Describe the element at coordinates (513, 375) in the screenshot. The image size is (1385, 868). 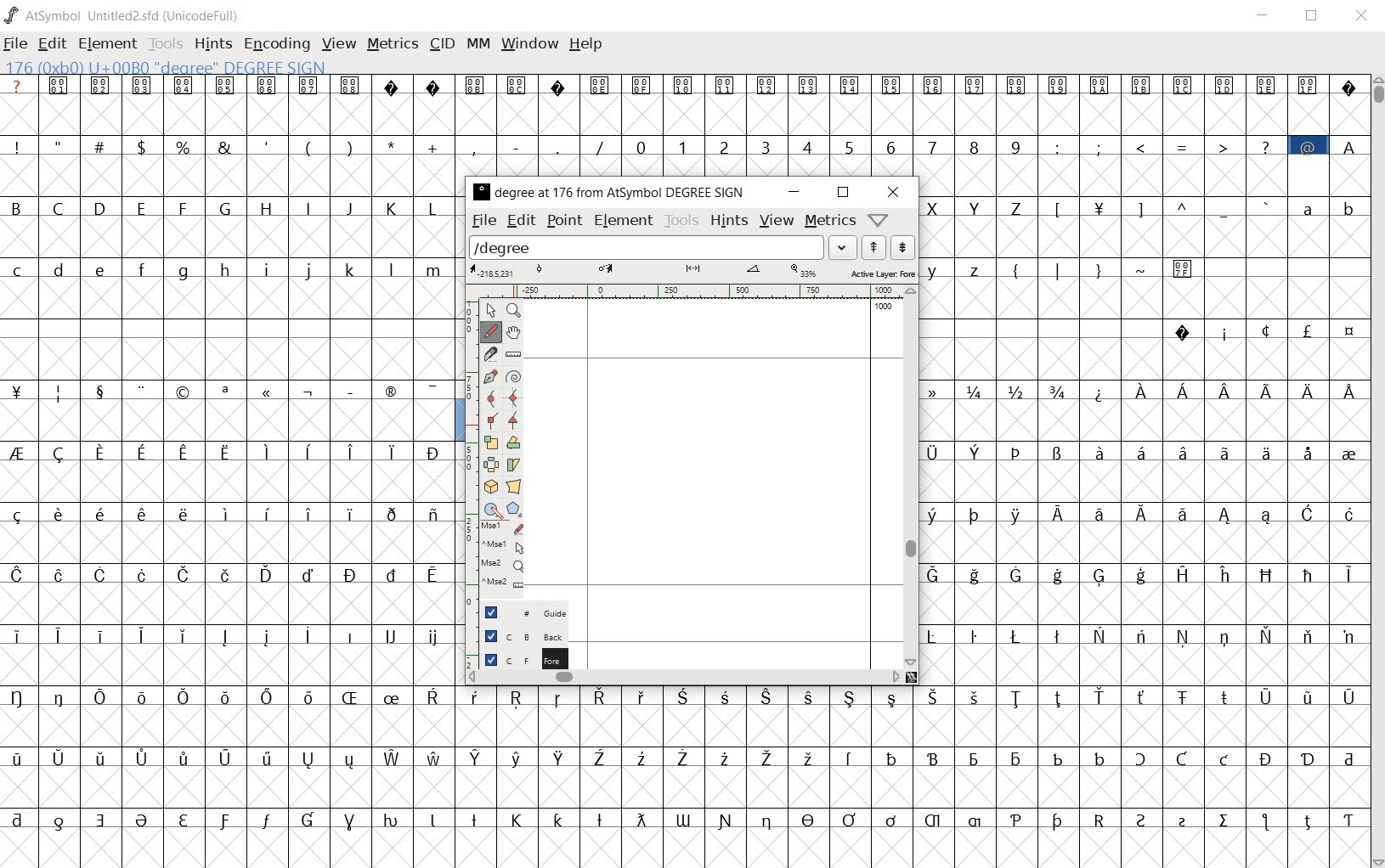
I see `change whether spiro is active or not` at that location.